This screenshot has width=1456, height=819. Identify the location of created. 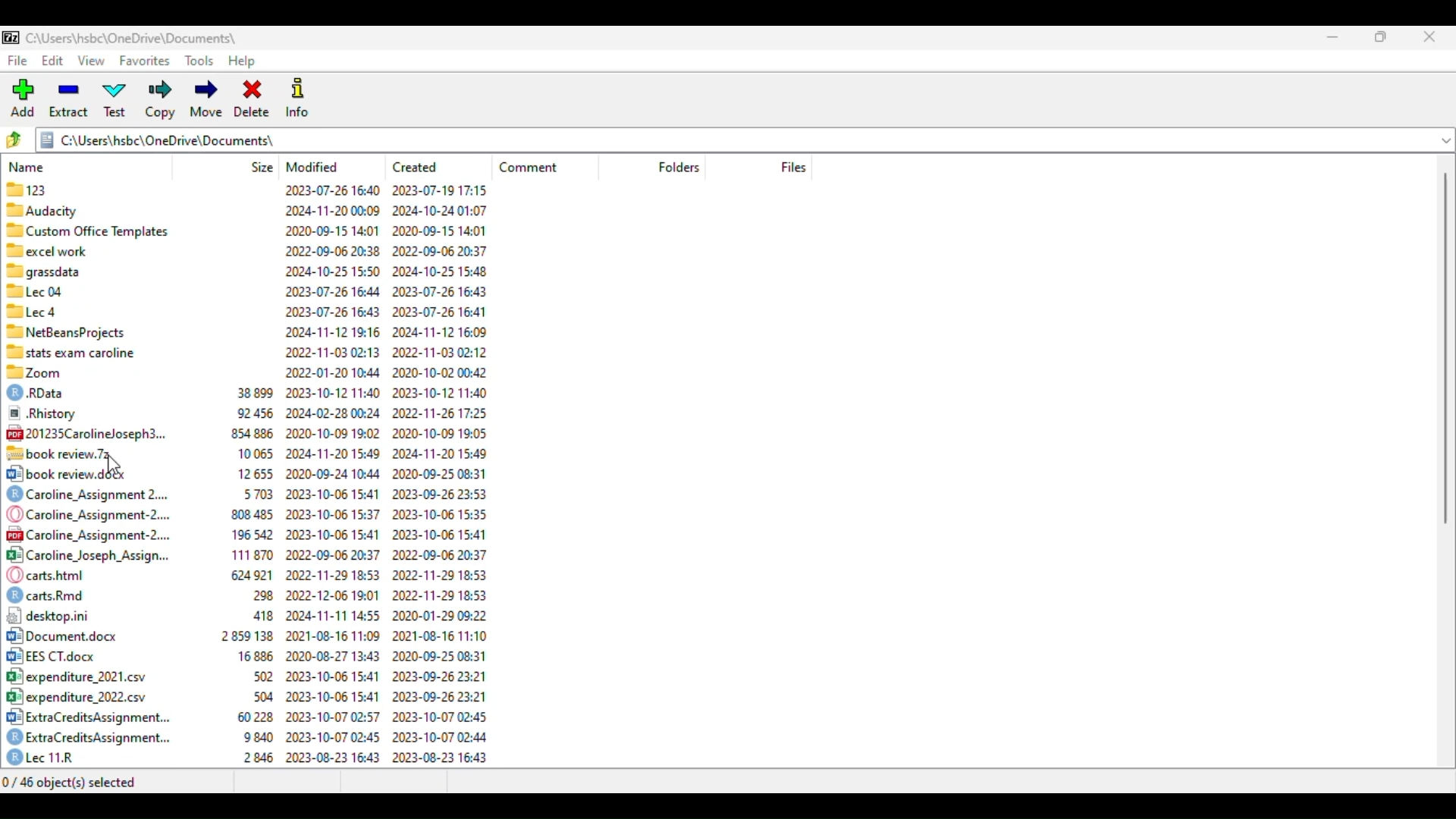
(416, 168).